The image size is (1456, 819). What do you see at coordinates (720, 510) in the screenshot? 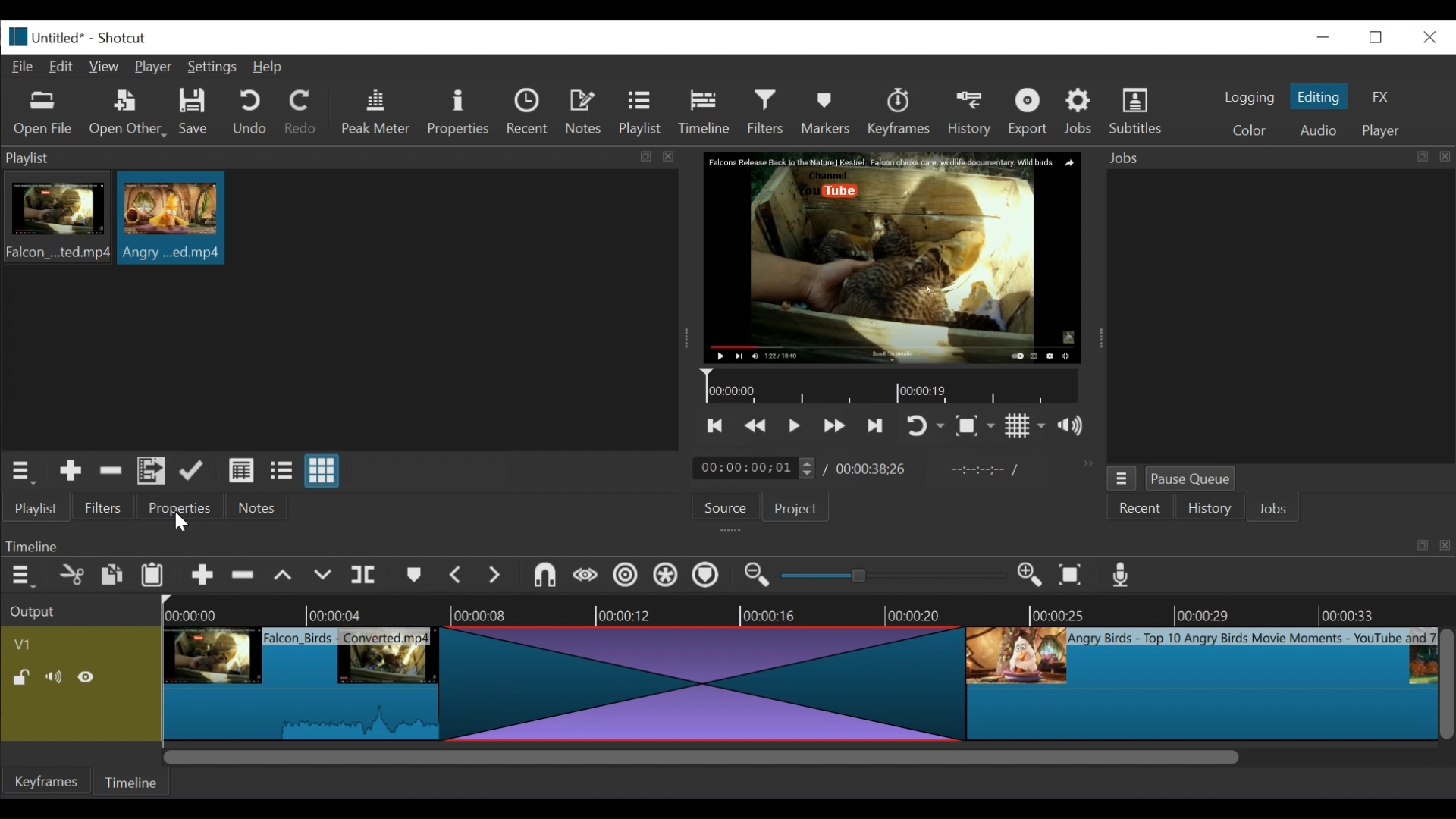
I see `Source` at bounding box center [720, 510].